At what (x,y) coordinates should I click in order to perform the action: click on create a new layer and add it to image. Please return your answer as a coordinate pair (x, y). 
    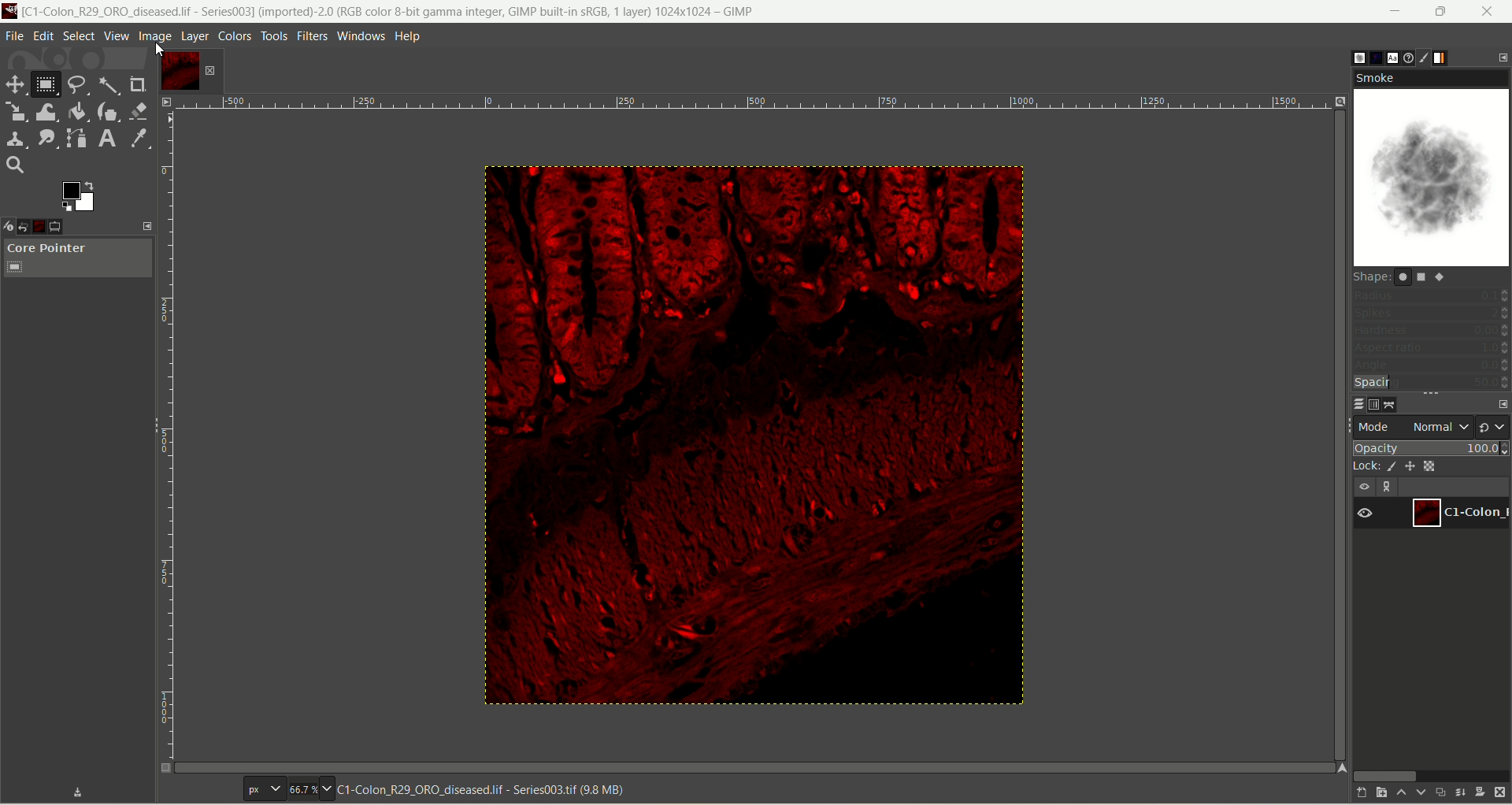
    Looking at the image, I should click on (1382, 793).